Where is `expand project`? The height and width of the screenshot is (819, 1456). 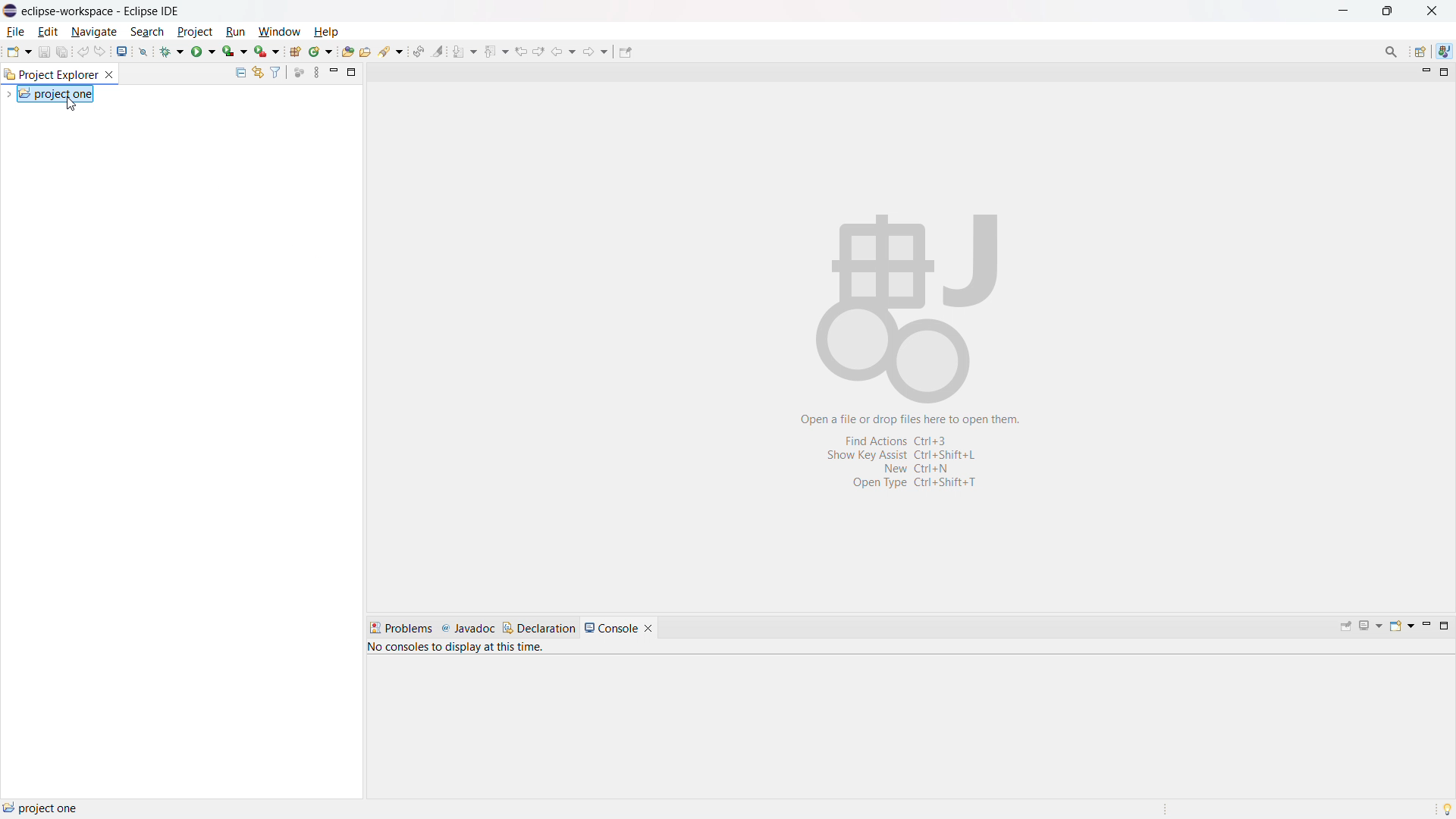 expand project is located at coordinates (9, 94).